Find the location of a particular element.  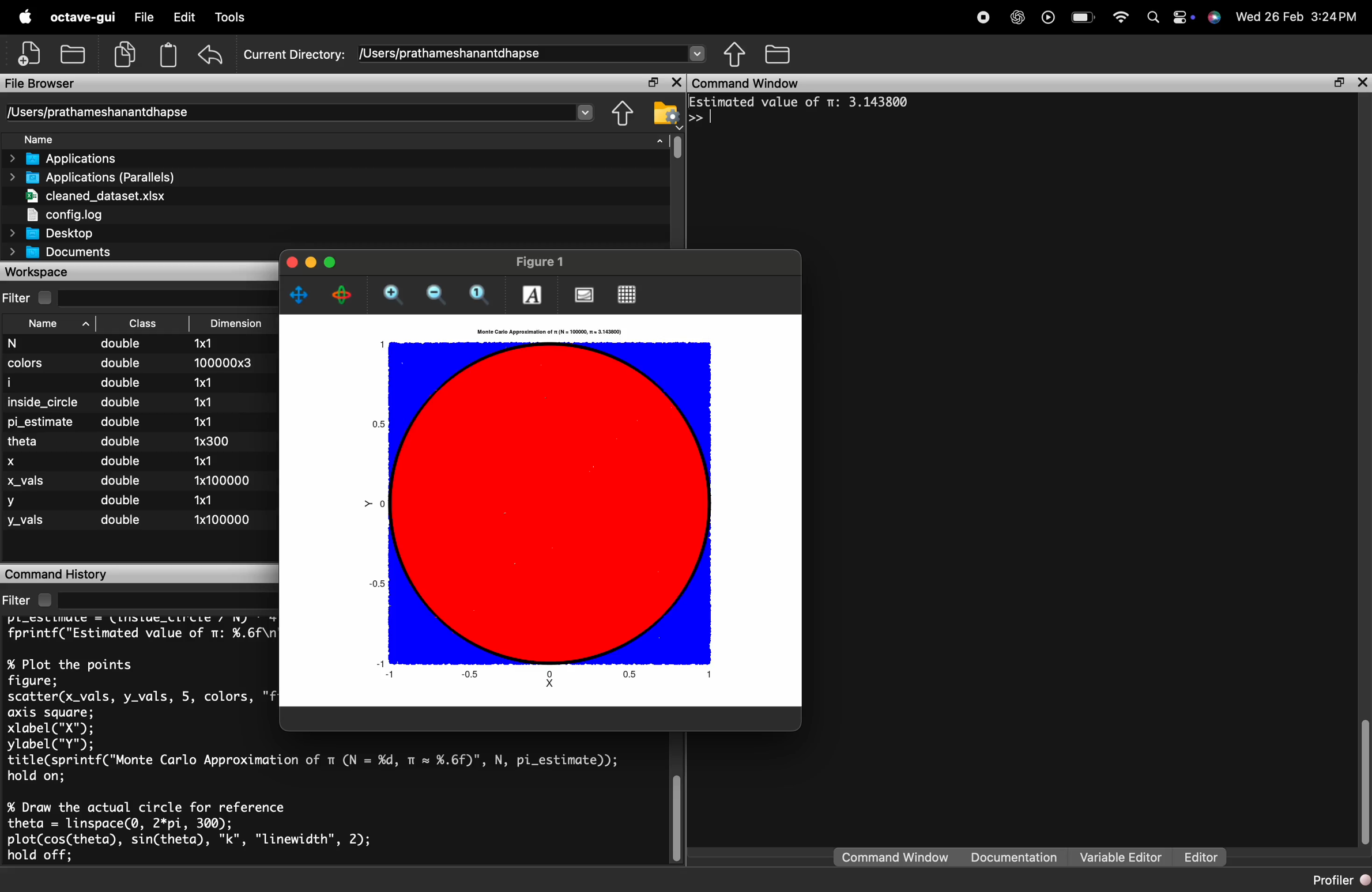

Command History is located at coordinates (56, 574).